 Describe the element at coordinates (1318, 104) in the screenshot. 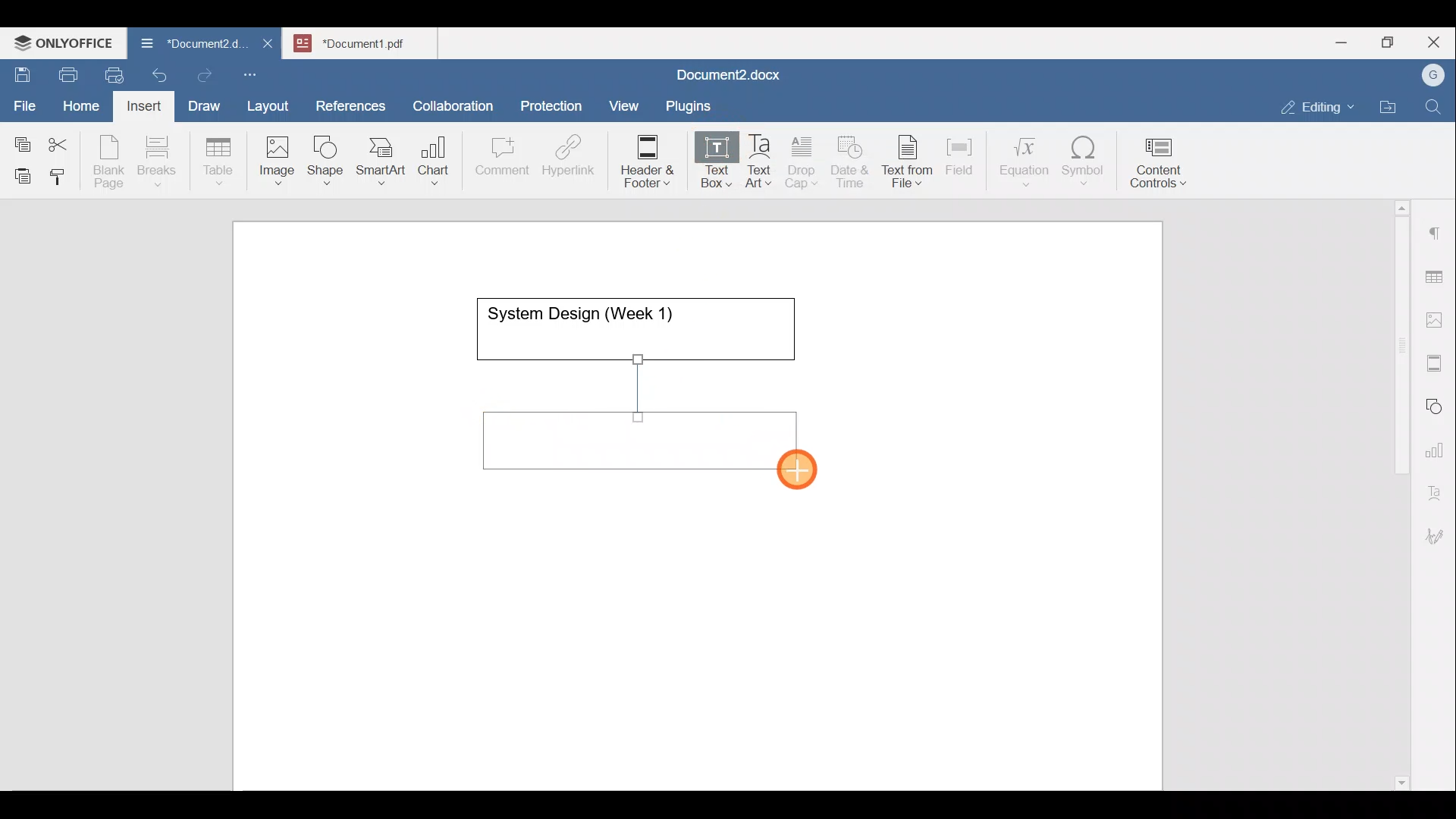

I see `Editing mode` at that location.